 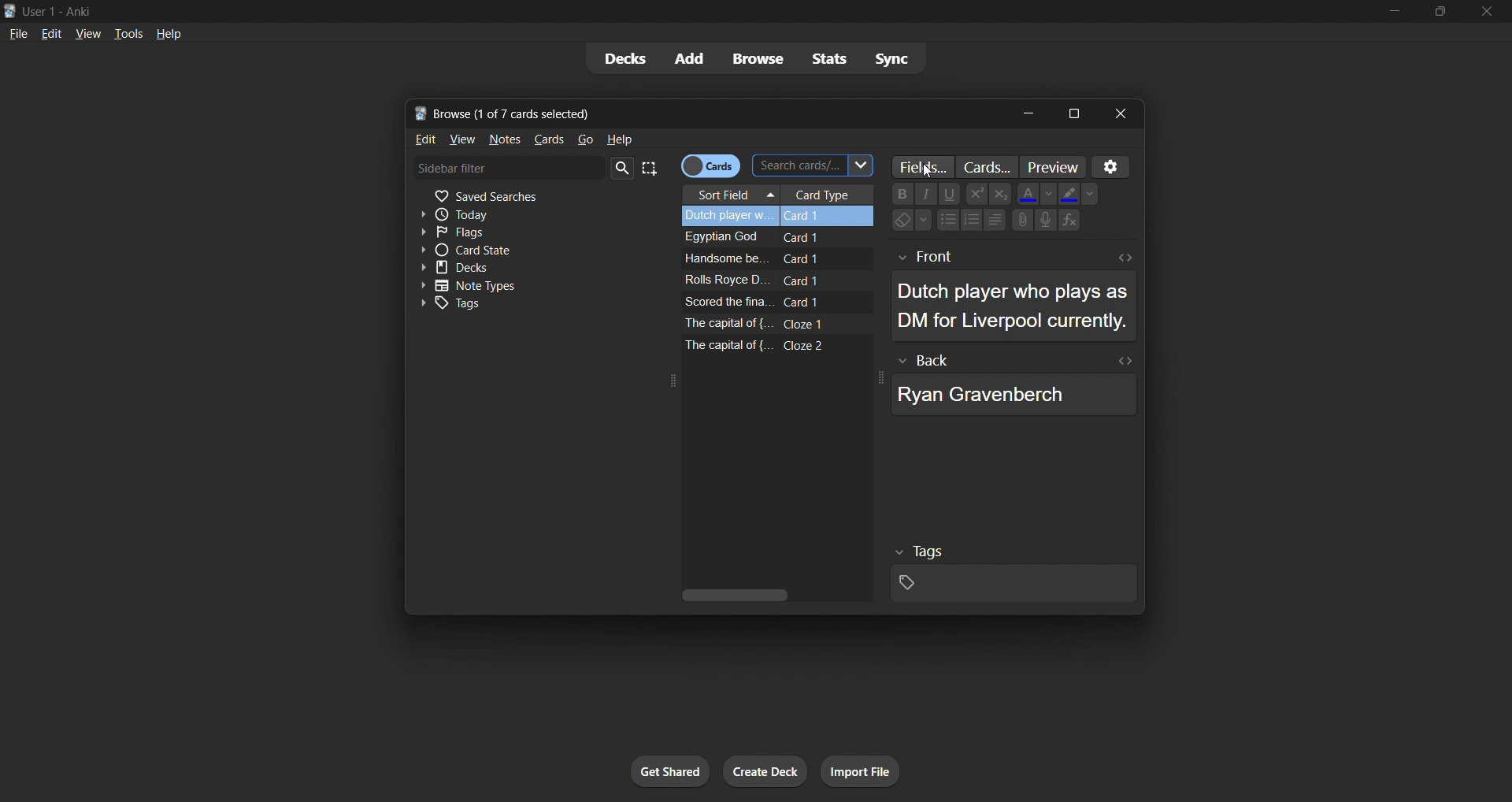 What do you see at coordinates (172, 32) in the screenshot?
I see `help` at bounding box center [172, 32].